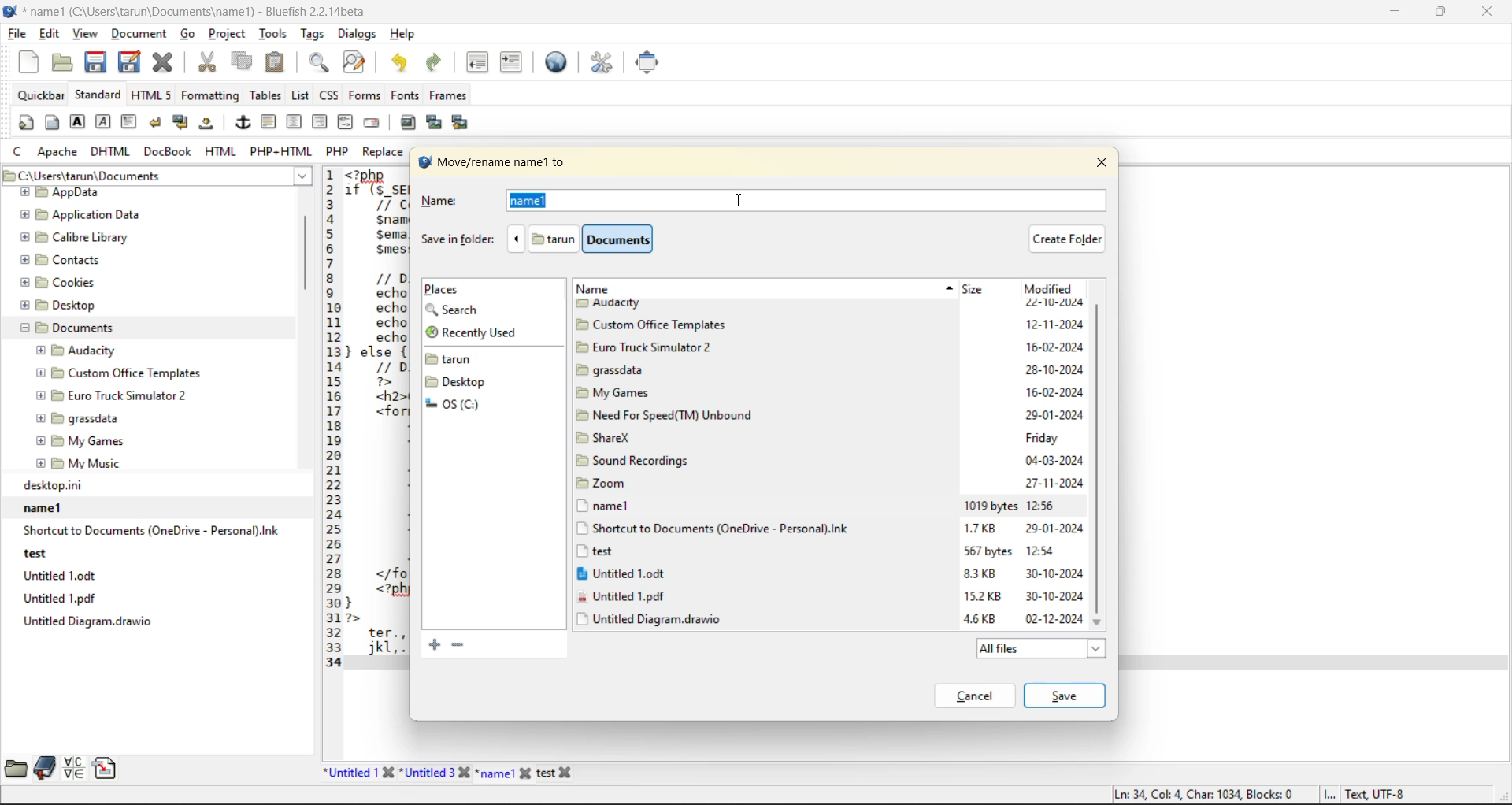  I want to click on minimize, so click(1399, 15).